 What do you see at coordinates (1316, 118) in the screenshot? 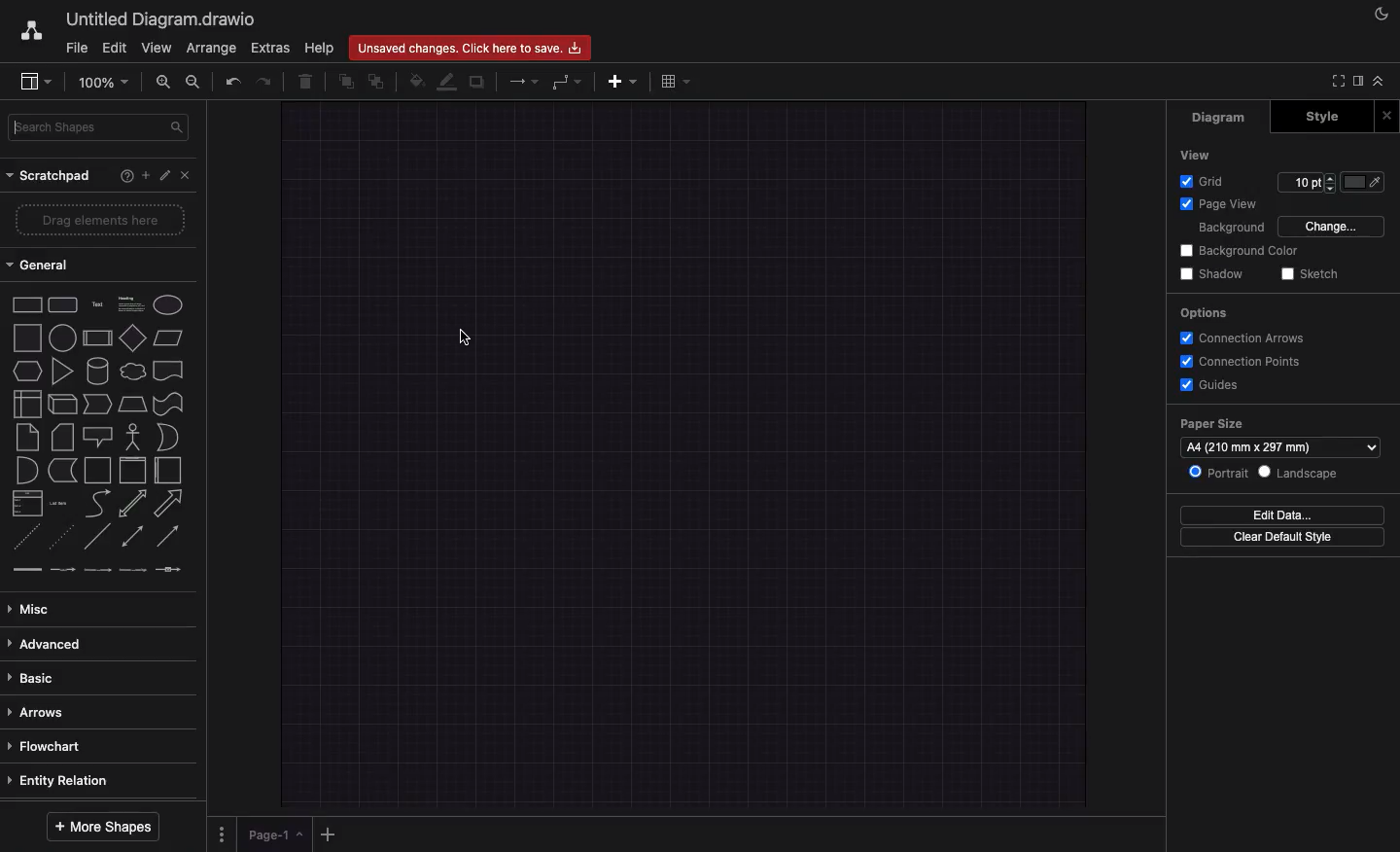
I see `Style` at bounding box center [1316, 118].